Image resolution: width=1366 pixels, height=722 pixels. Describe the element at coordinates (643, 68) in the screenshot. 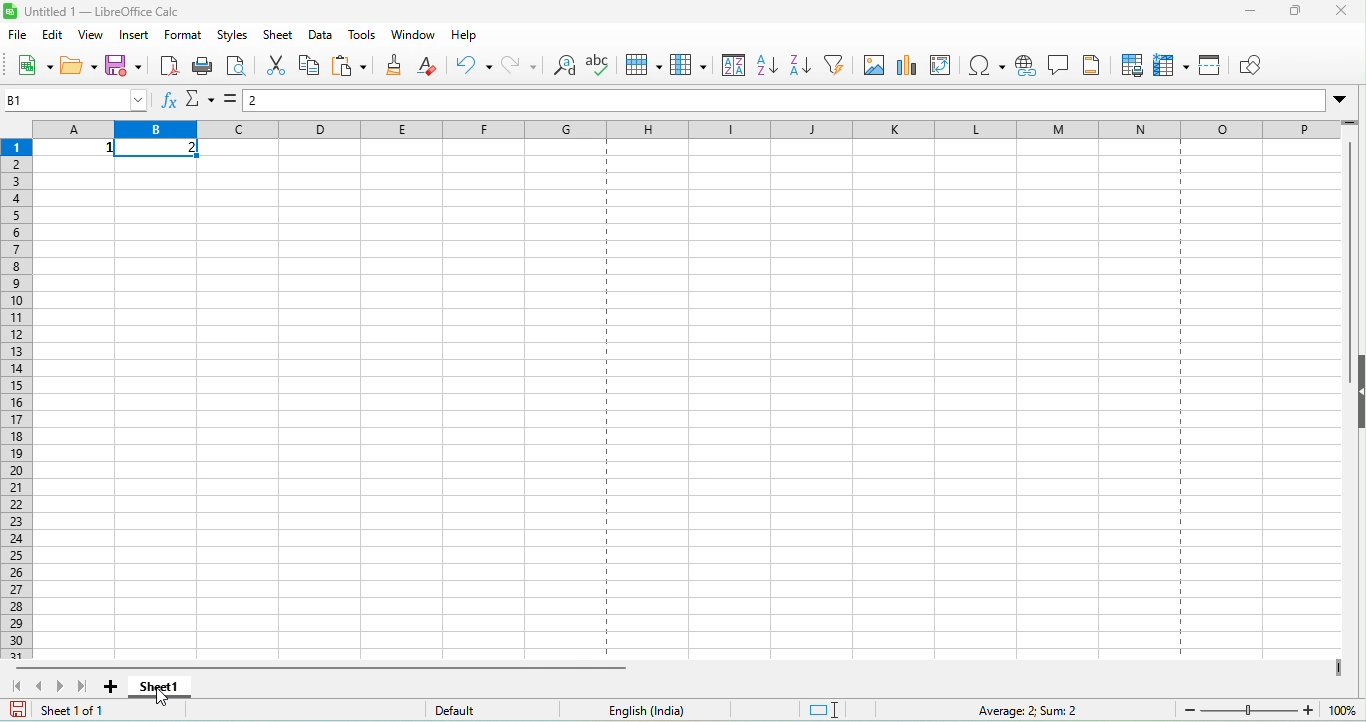

I see `row` at that location.